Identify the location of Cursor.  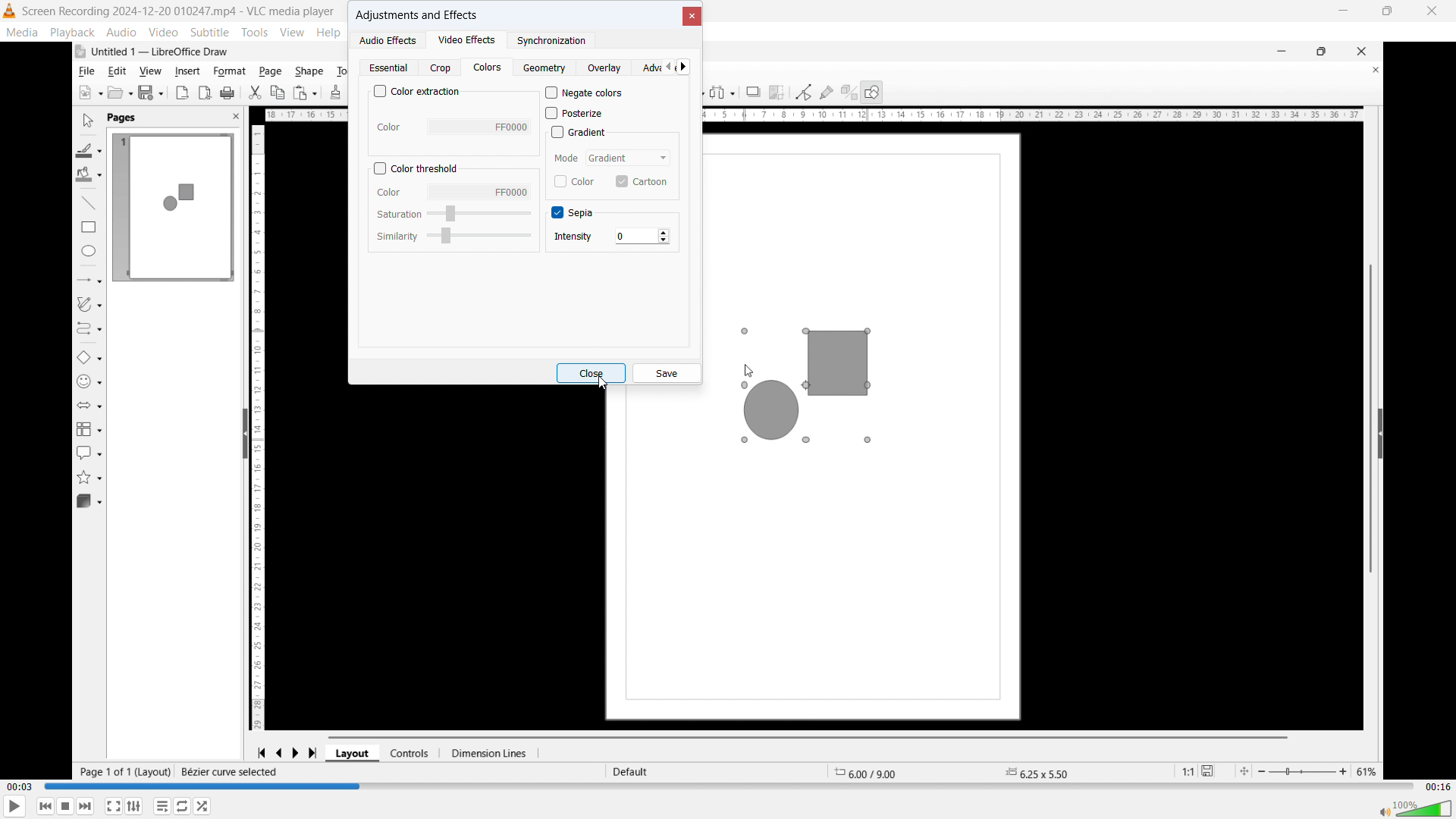
(604, 381).